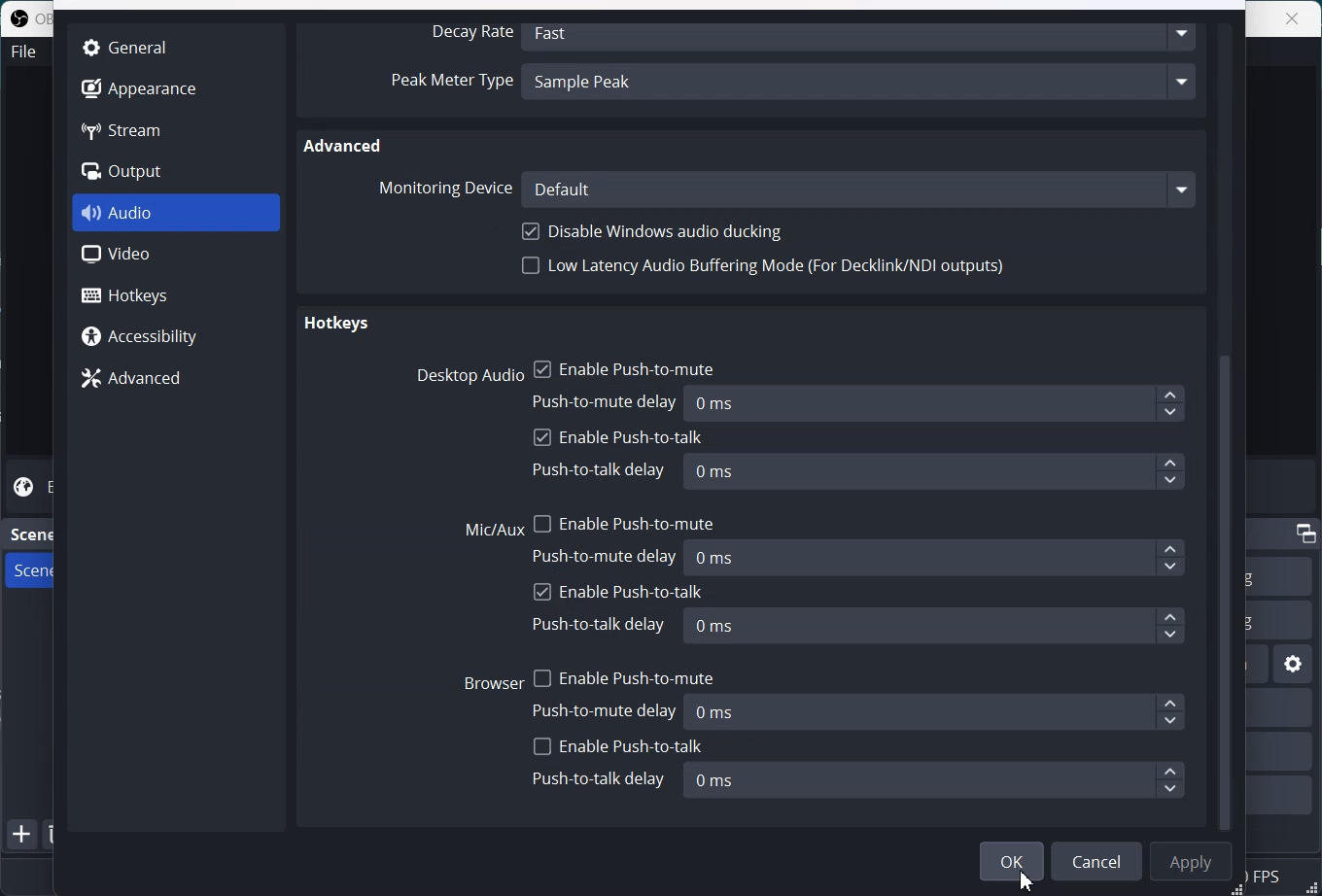 The image size is (1322, 896). What do you see at coordinates (862, 85) in the screenshot?
I see `Sample Peak` at bounding box center [862, 85].